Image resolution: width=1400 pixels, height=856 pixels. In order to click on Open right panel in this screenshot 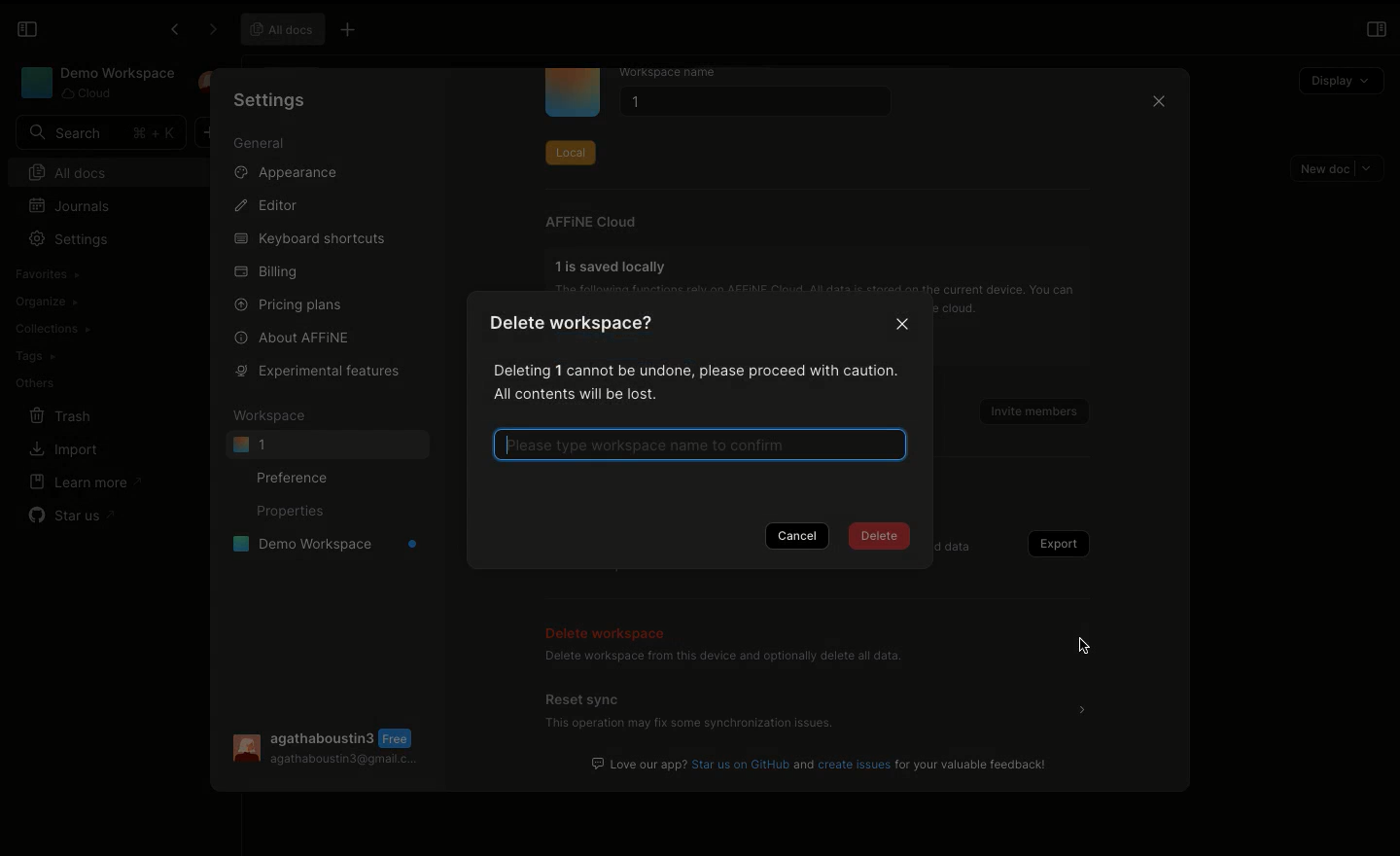, I will do `click(1376, 29)`.